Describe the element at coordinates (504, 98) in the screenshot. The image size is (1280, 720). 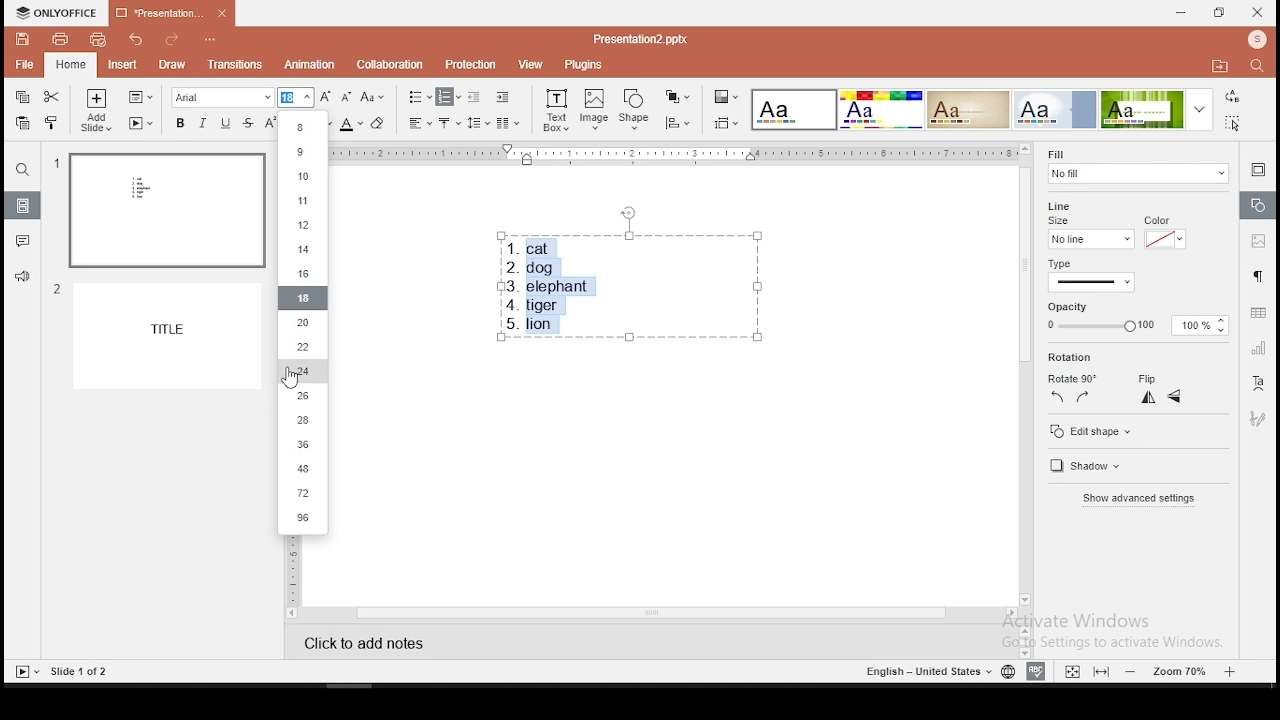
I see `increase indent` at that location.